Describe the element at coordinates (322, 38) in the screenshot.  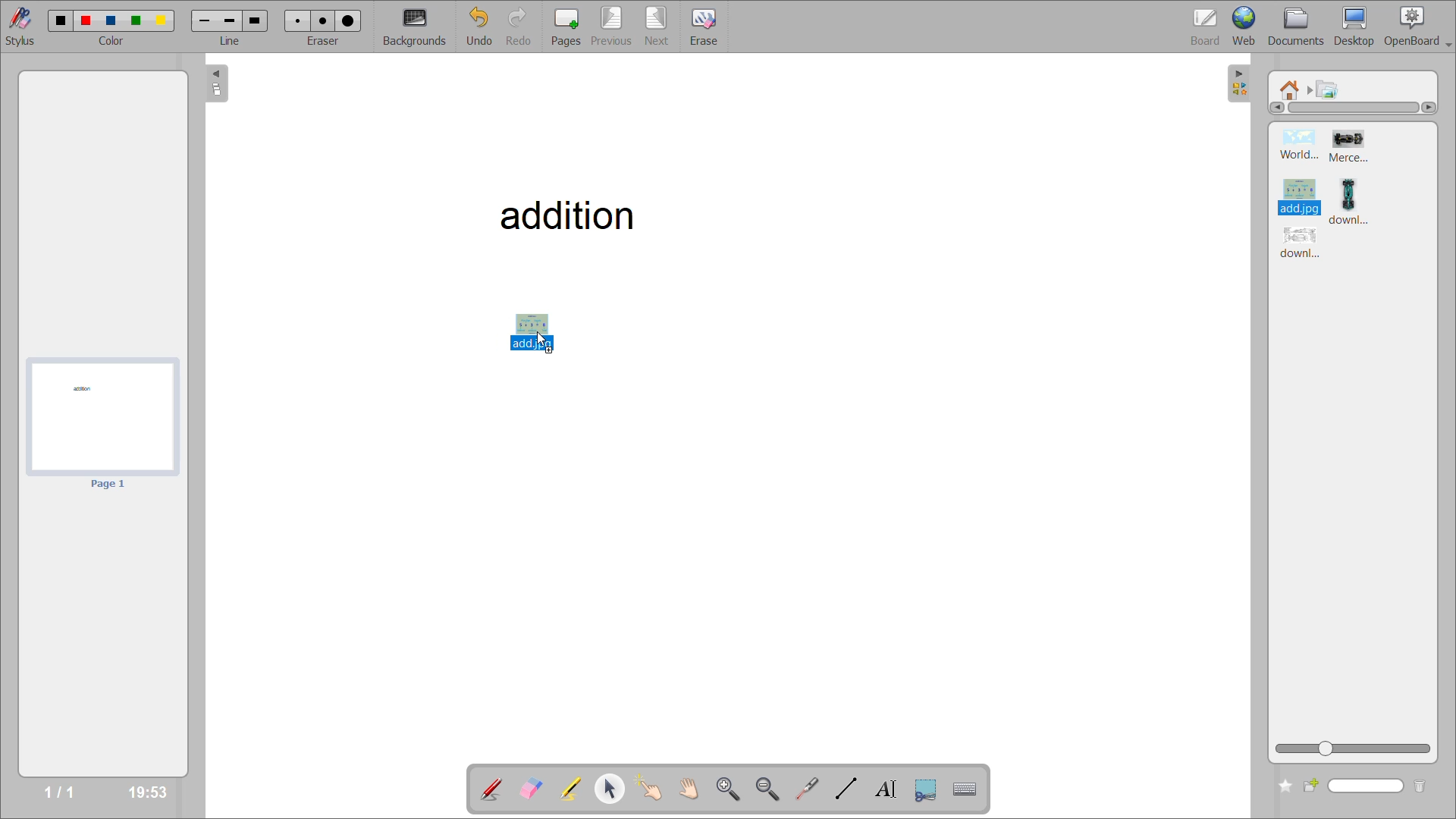
I see `eraser` at that location.